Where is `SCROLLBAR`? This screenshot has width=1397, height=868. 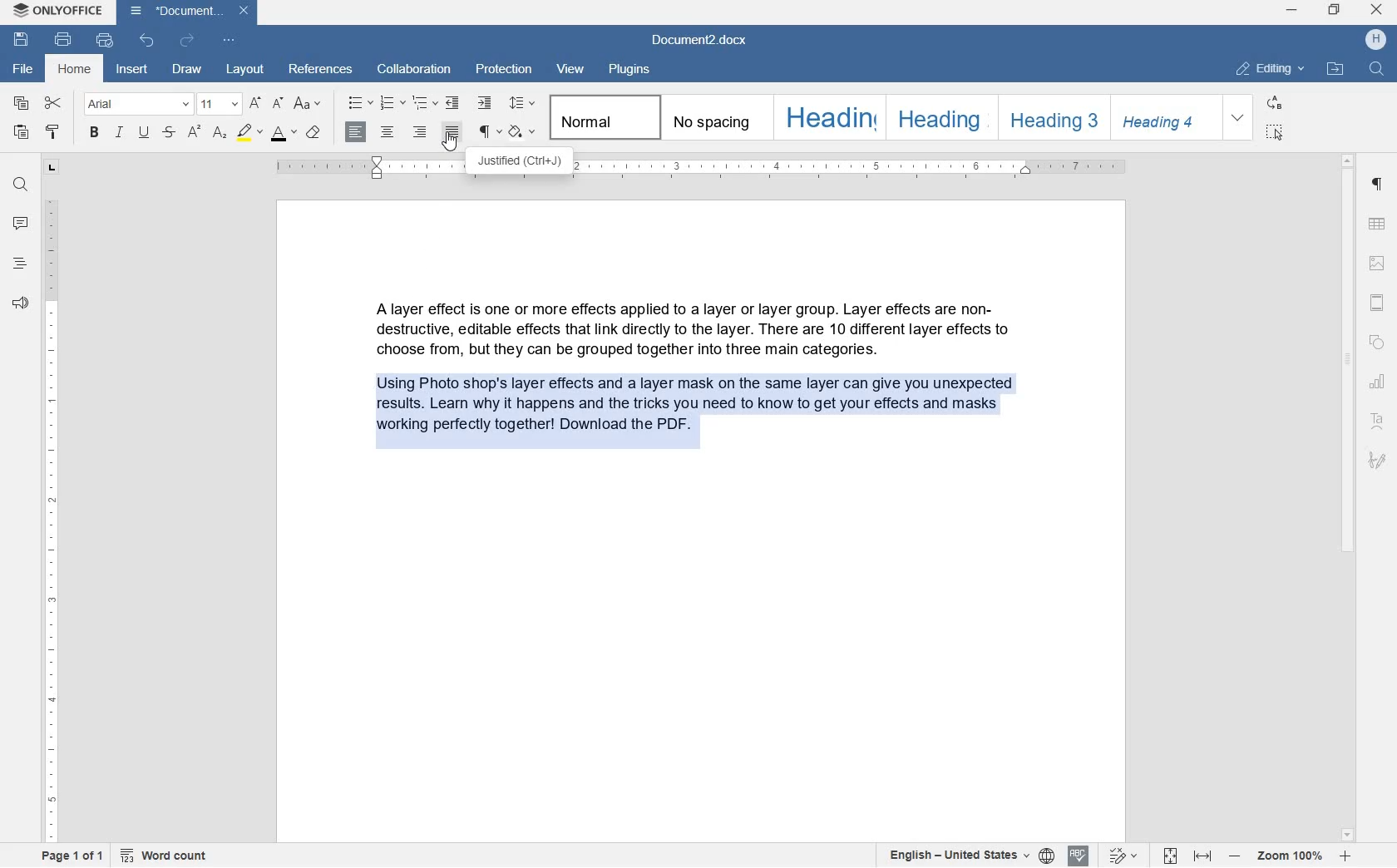
SCROLLBAR is located at coordinates (1348, 498).